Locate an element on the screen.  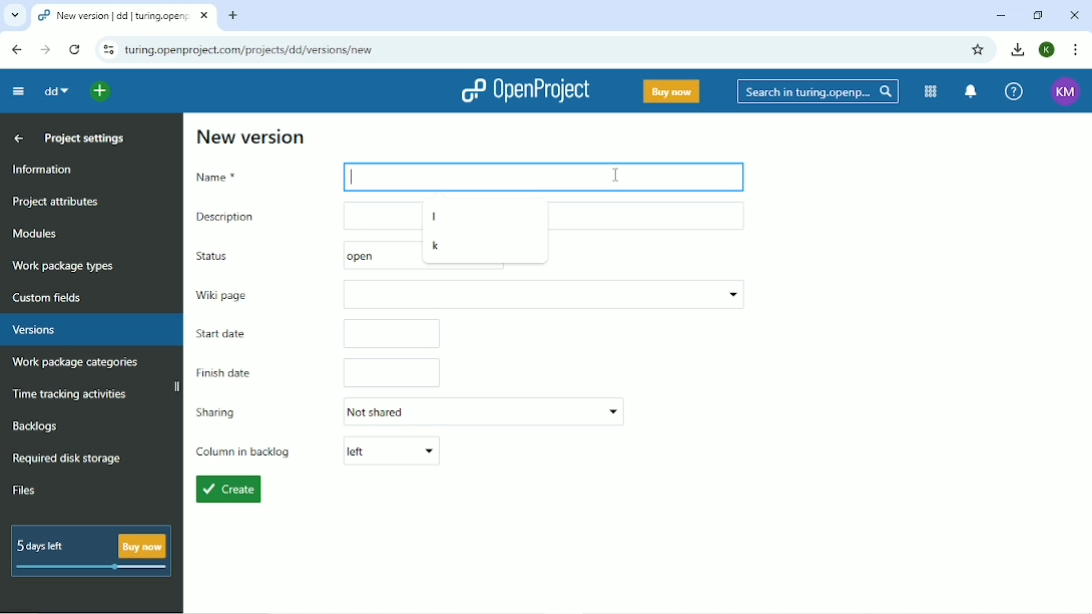
Search tabs is located at coordinates (14, 14).